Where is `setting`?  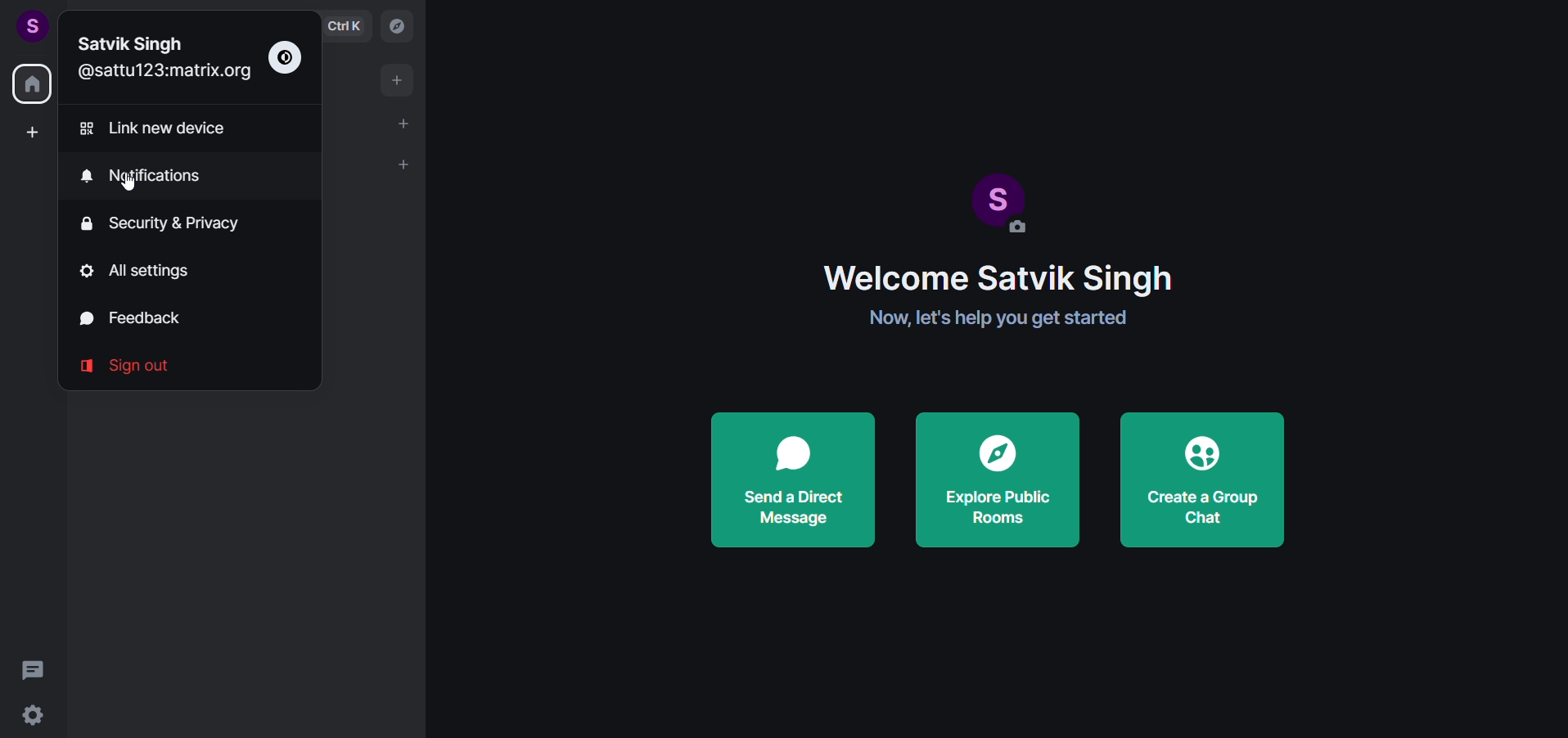
setting is located at coordinates (39, 713).